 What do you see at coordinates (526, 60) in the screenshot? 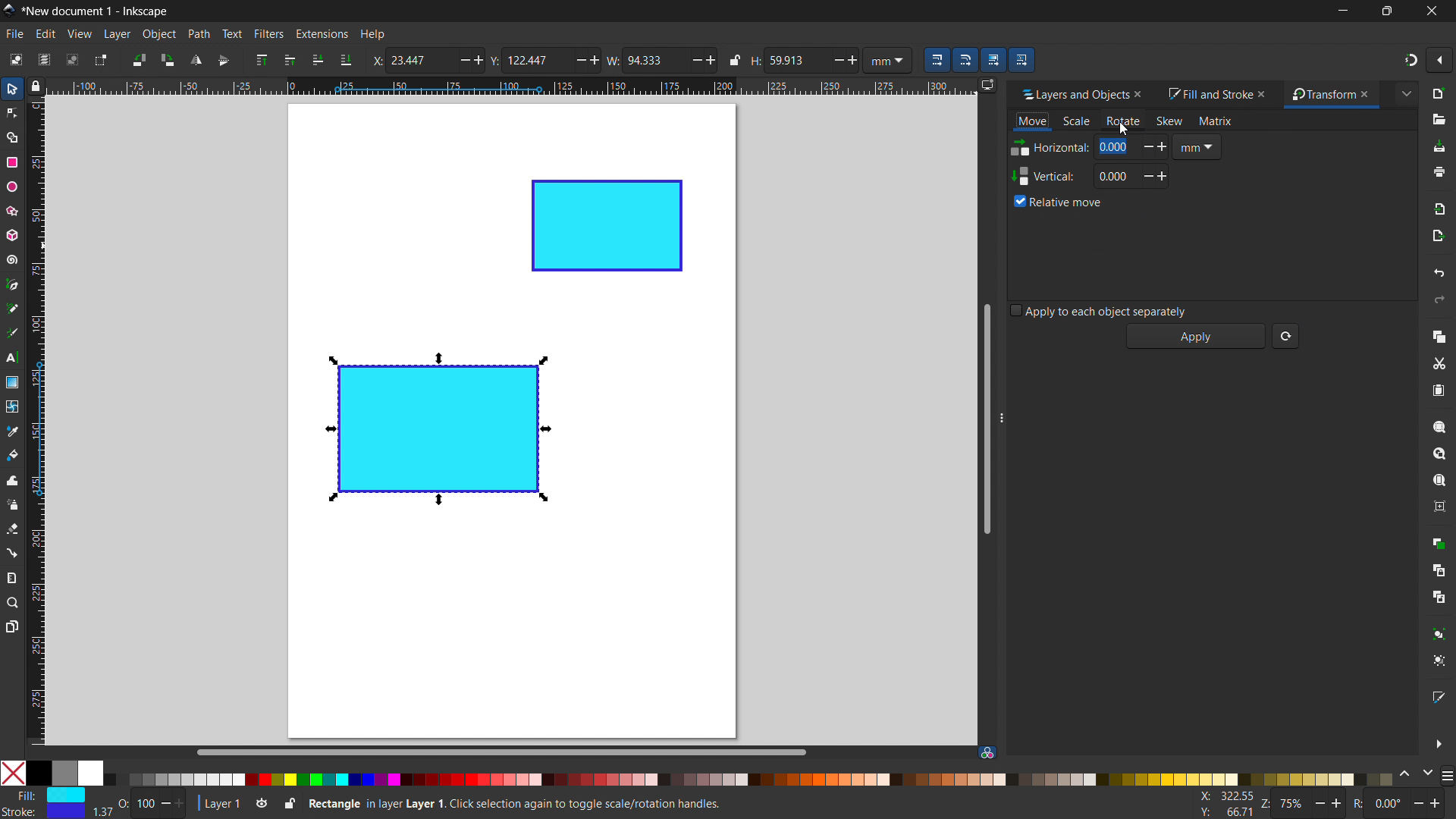
I see `Y: 122.447` at bounding box center [526, 60].